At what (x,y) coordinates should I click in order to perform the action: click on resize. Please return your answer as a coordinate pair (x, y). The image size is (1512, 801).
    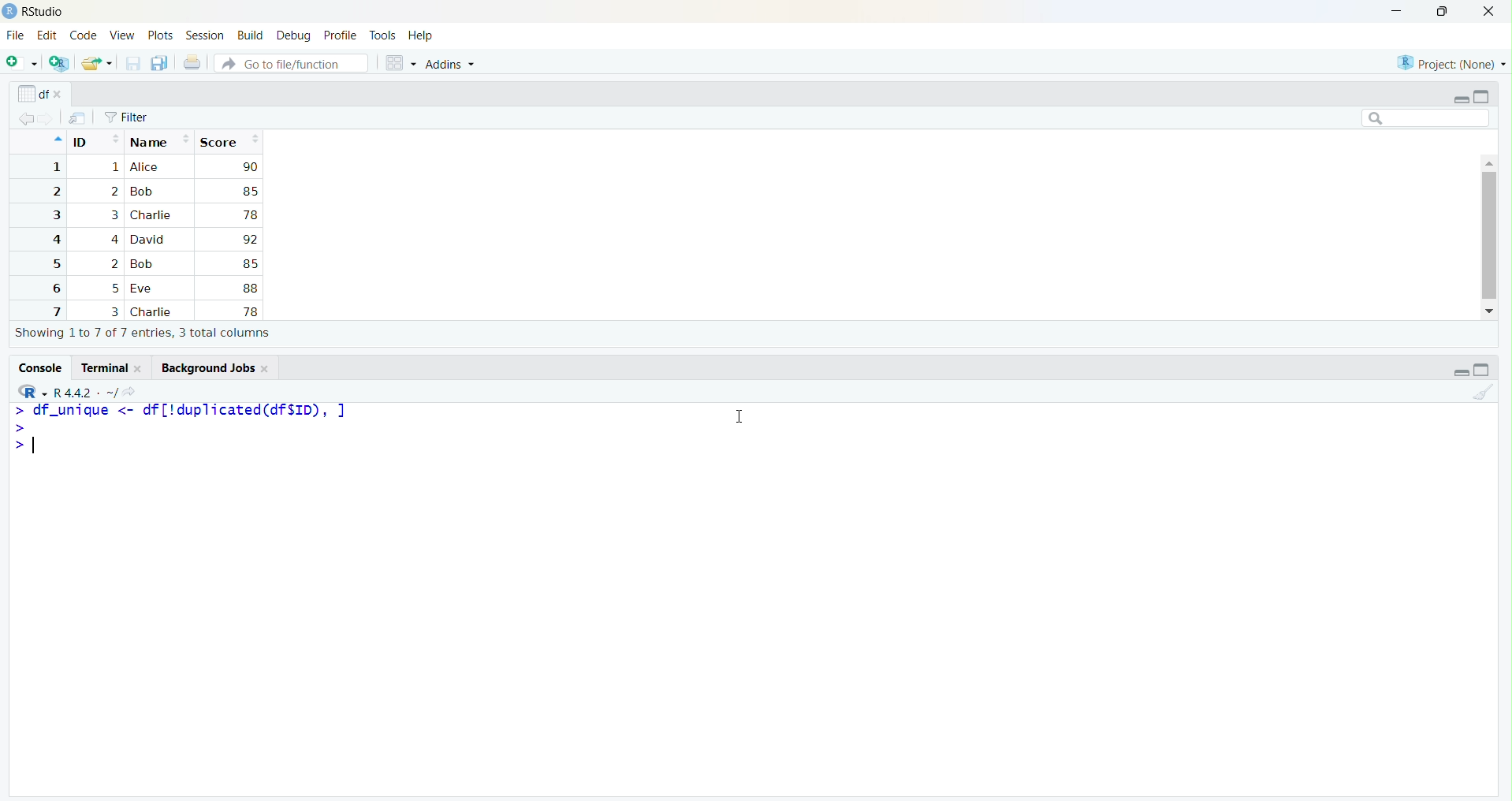
    Looking at the image, I should click on (1443, 12).